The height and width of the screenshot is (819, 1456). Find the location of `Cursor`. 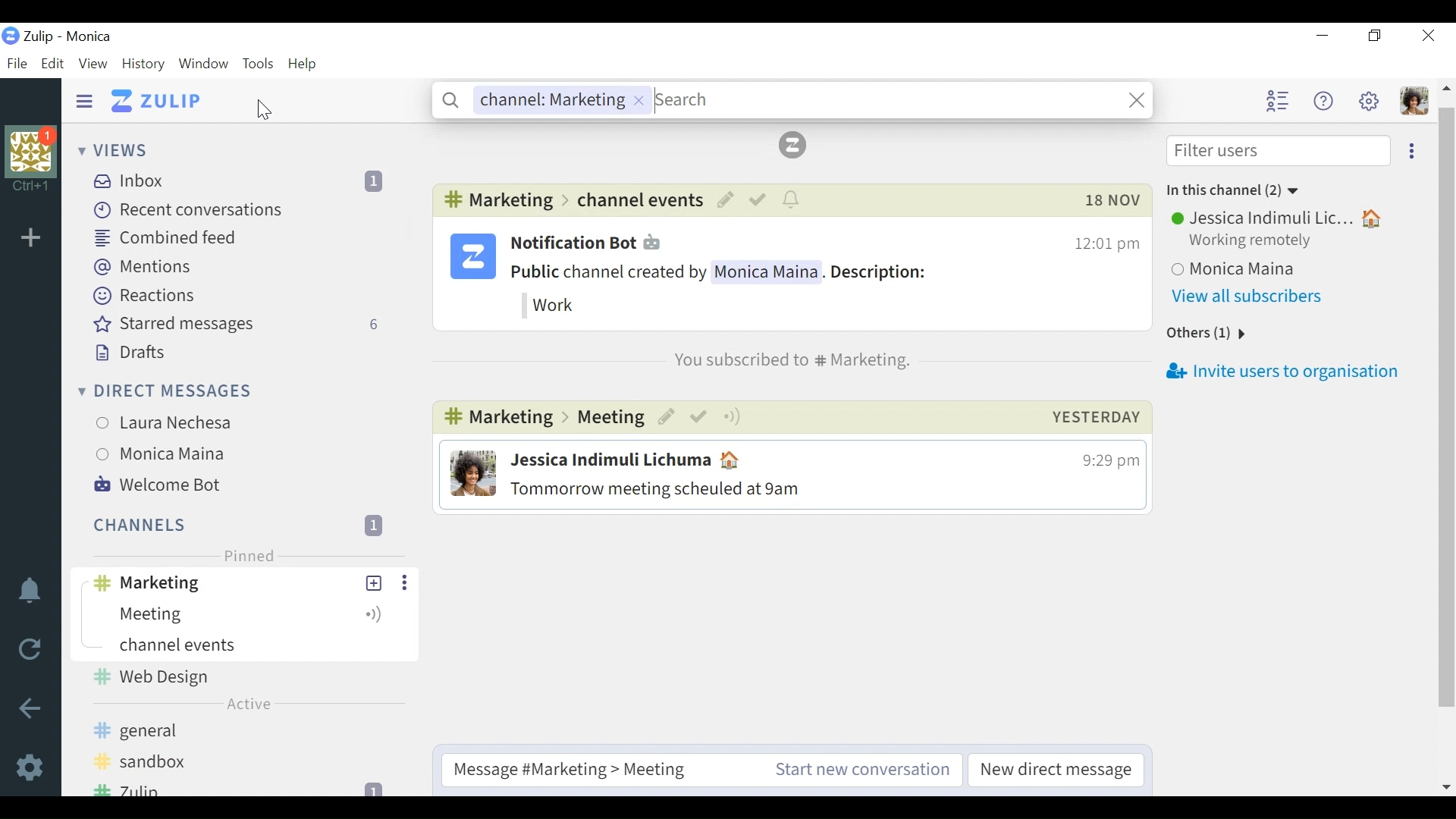

Cursor is located at coordinates (263, 111).